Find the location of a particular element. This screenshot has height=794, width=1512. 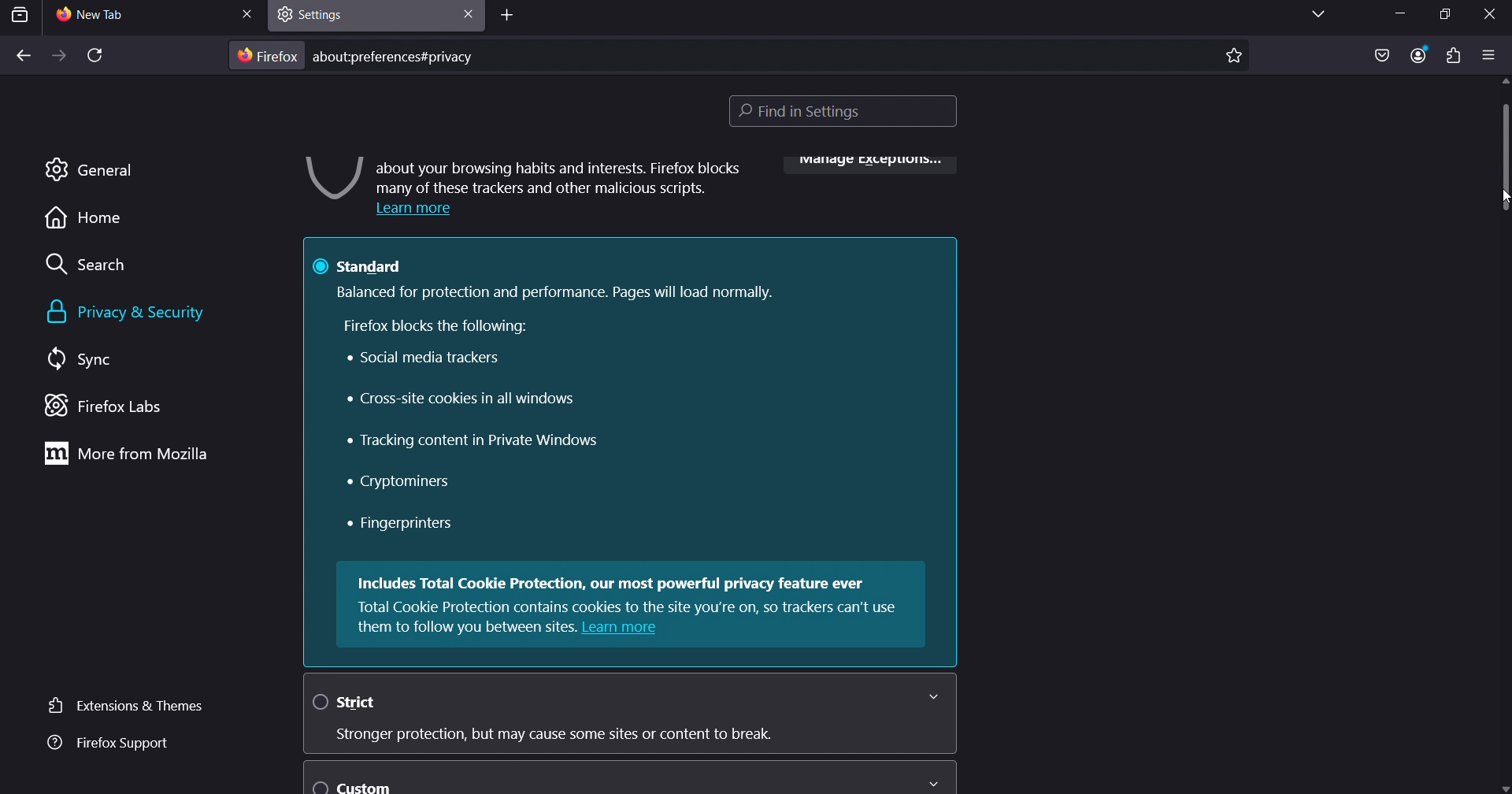

find in settings is located at coordinates (849, 113).